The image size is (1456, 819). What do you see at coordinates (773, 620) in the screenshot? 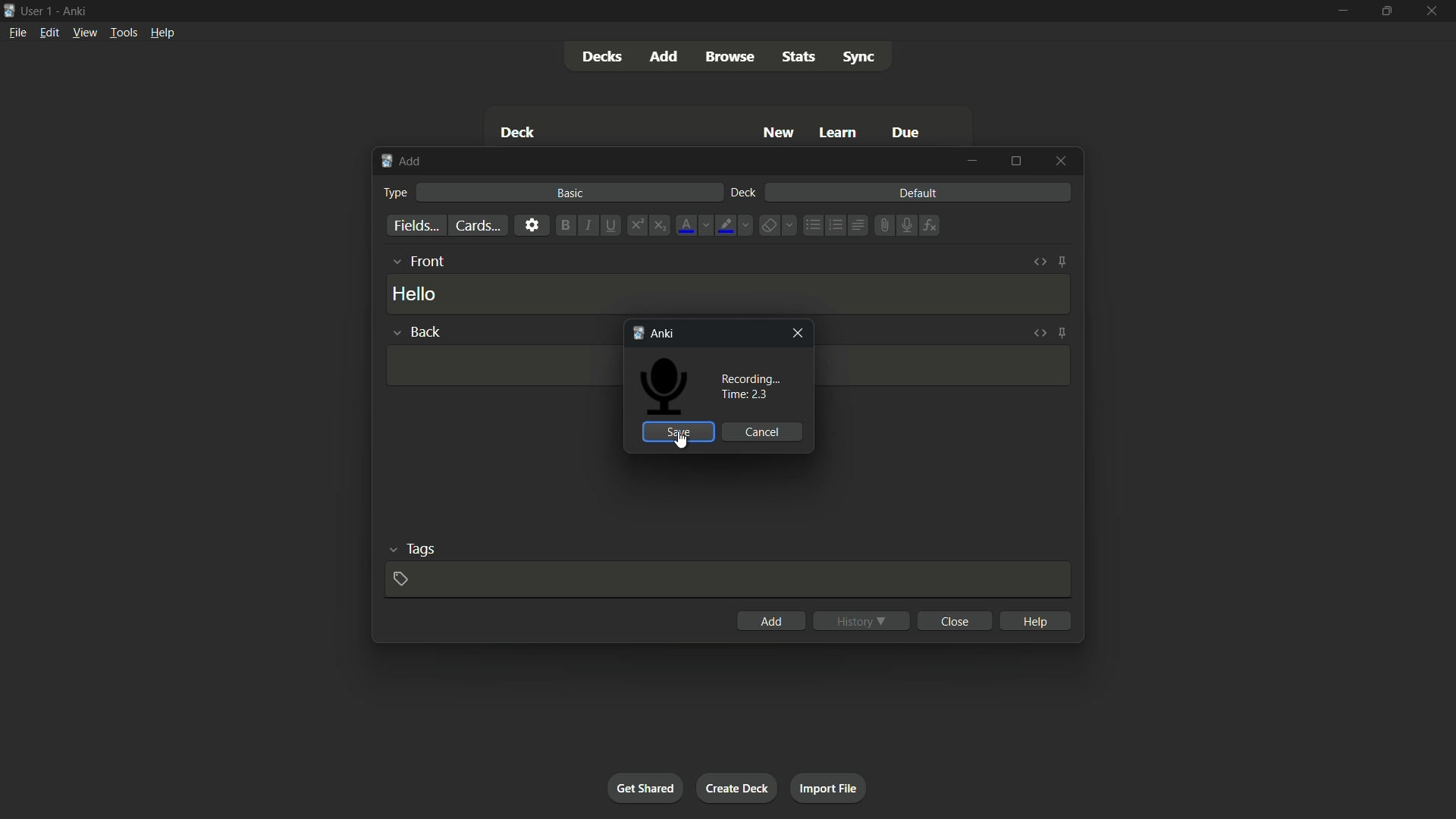
I see `add` at bounding box center [773, 620].